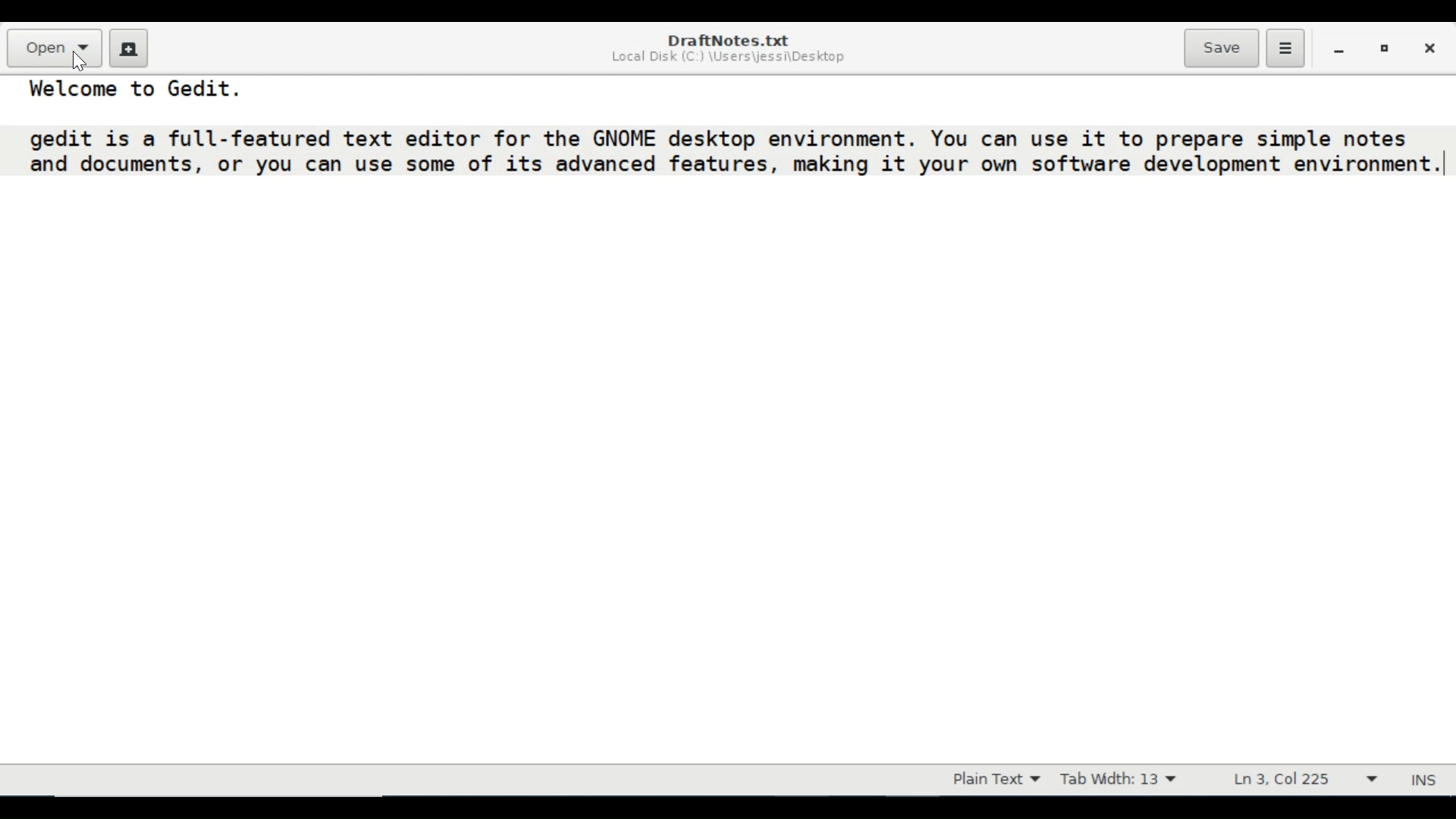 The width and height of the screenshot is (1456, 819). What do you see at coordinates (993, 780) in the screenshot?
I see `File type` at bounding box center [993, 780].